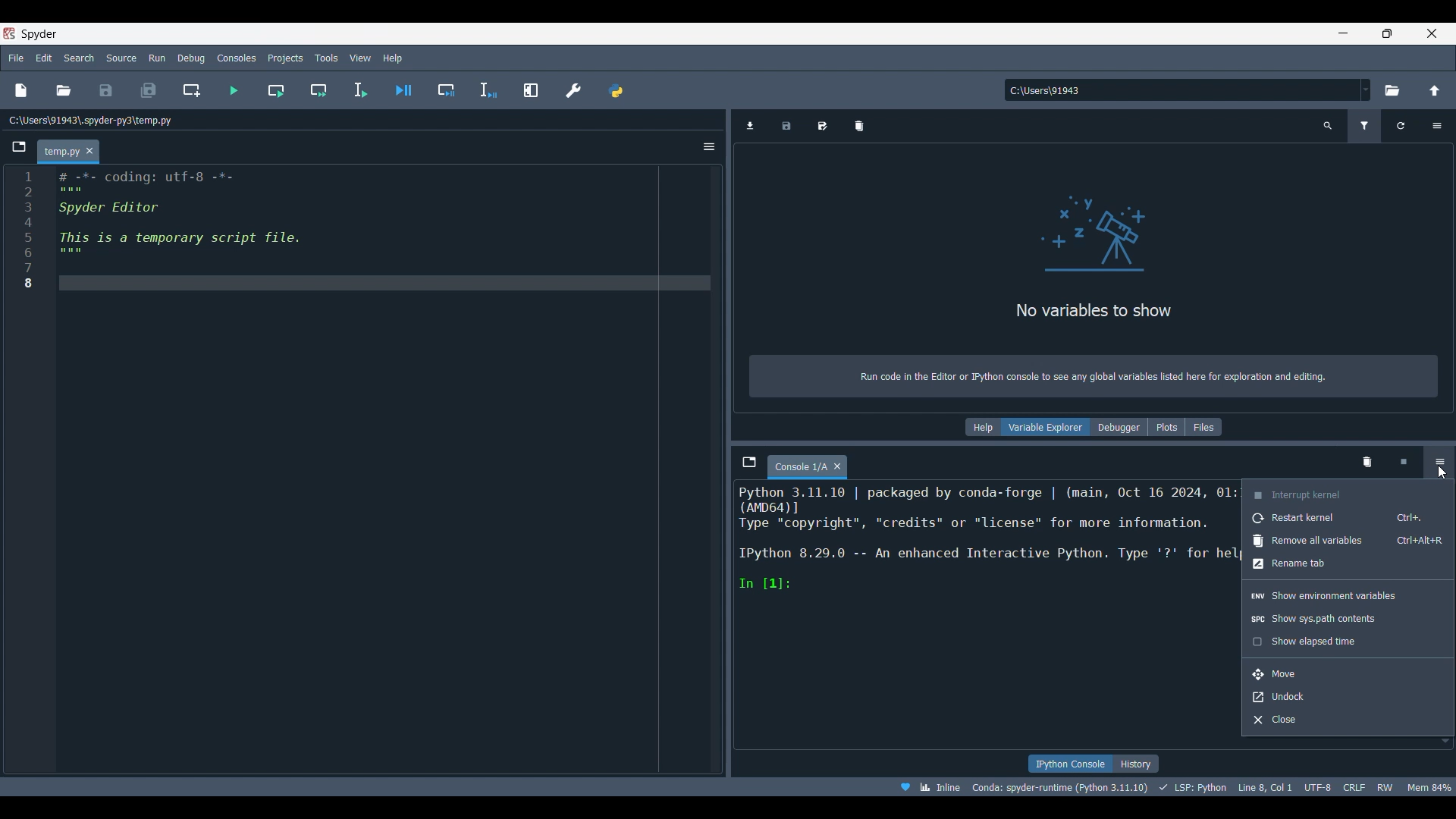 This screenshot has height=819, width=1456. Describe the element at coordinates (149, 90) in the screenshot. I see `Save all files` at that location.